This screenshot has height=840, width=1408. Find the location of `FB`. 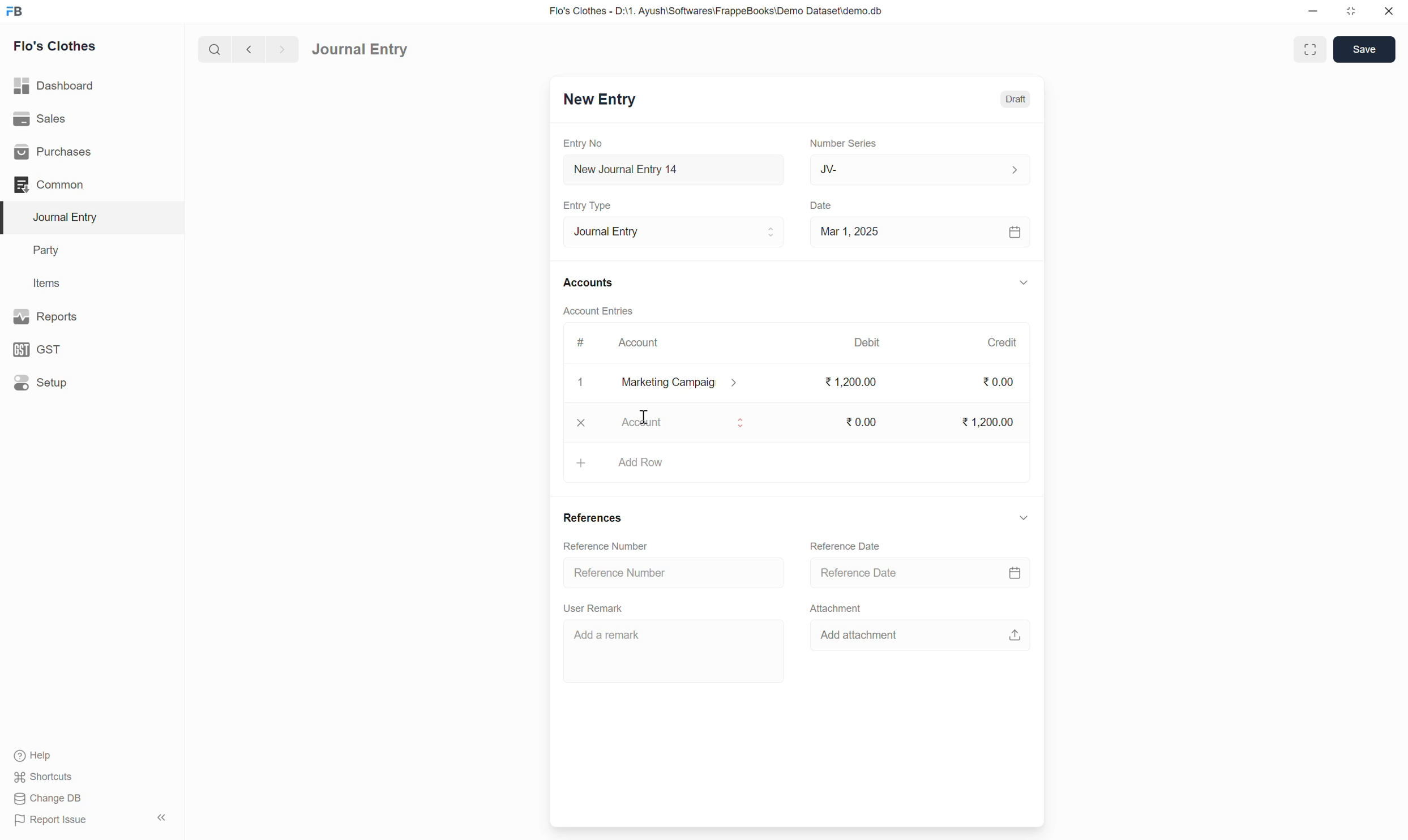

FB is located at coordinates (15, 11).